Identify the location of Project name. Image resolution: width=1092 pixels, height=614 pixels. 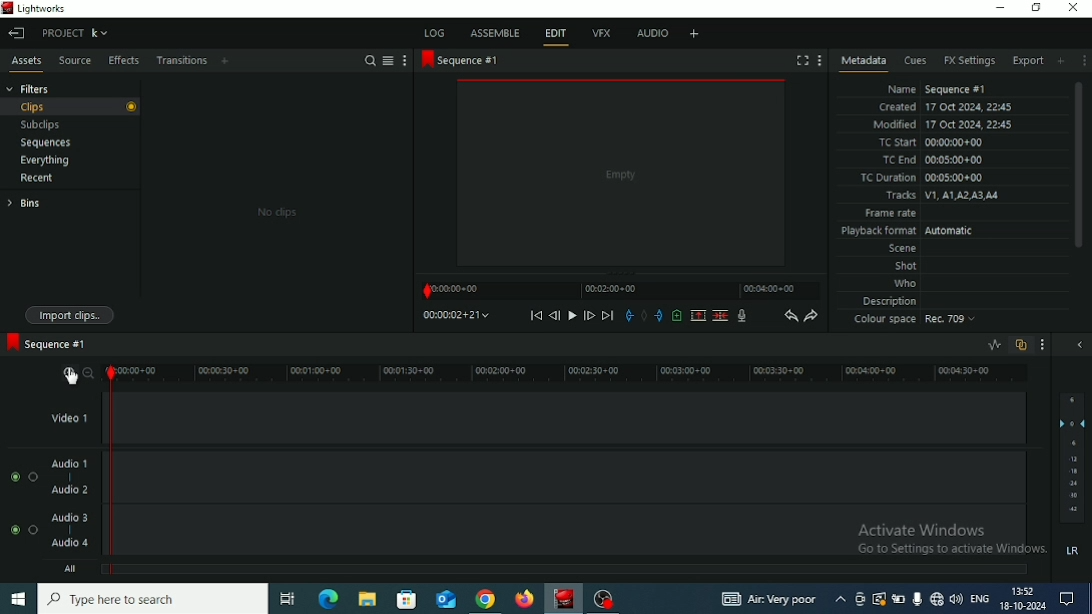
(74, 33).